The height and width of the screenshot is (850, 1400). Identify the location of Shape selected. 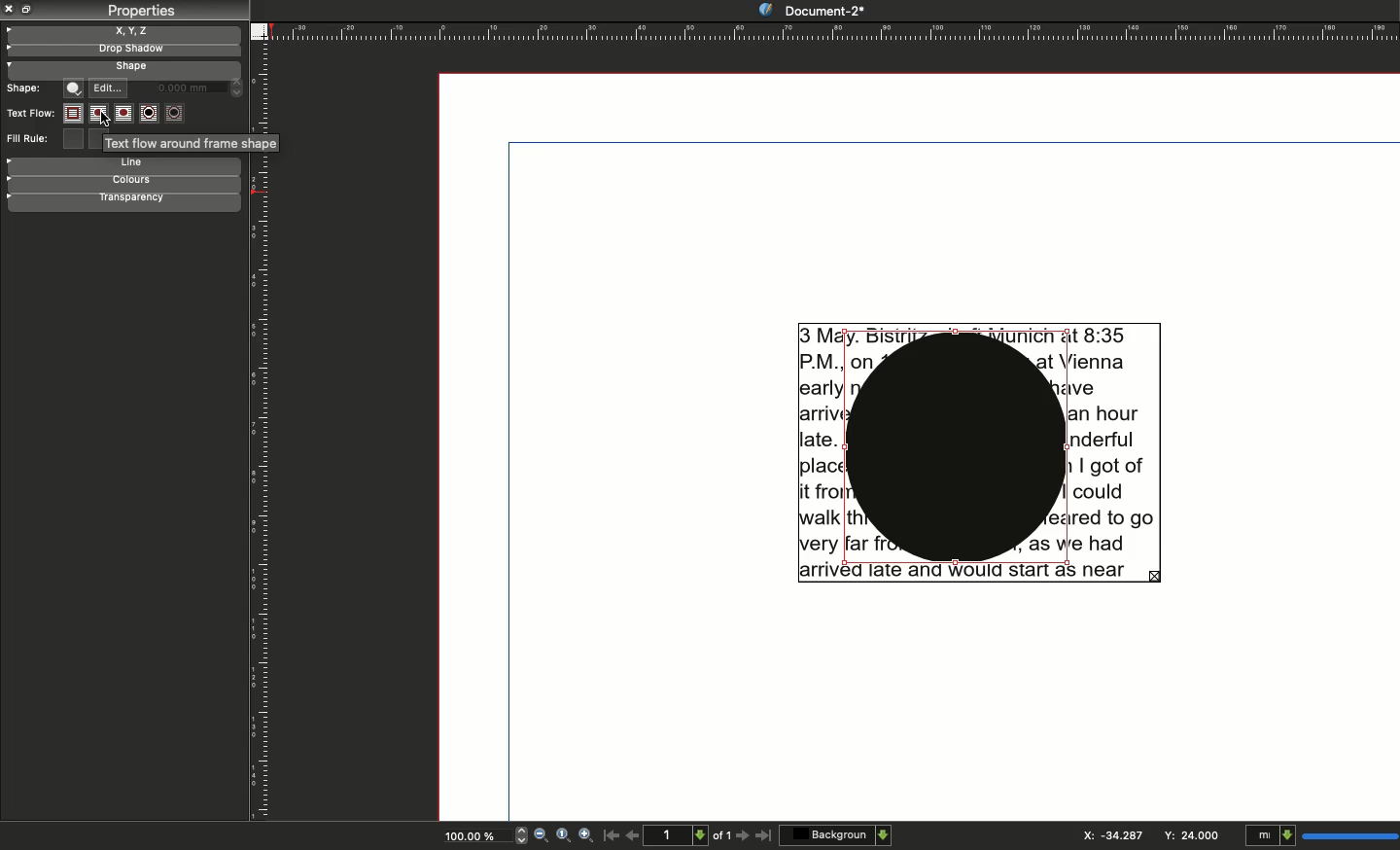
(957, 450).